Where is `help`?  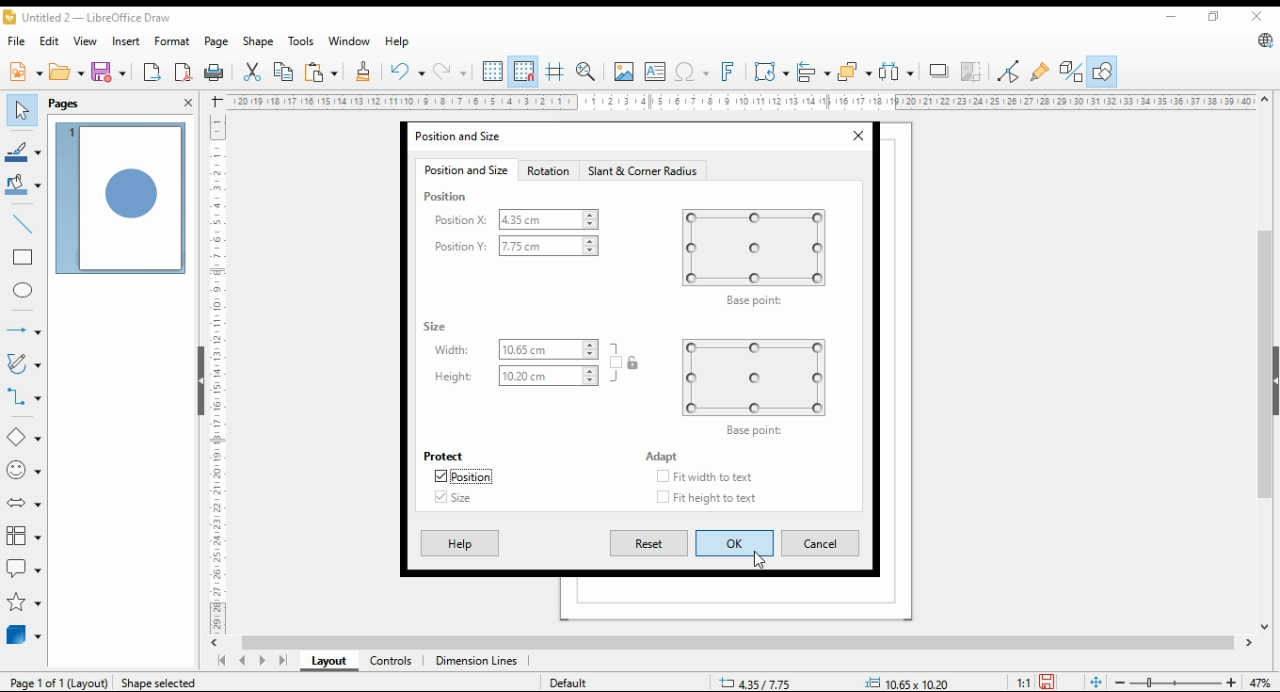
help is located at coordinates (400, 42).